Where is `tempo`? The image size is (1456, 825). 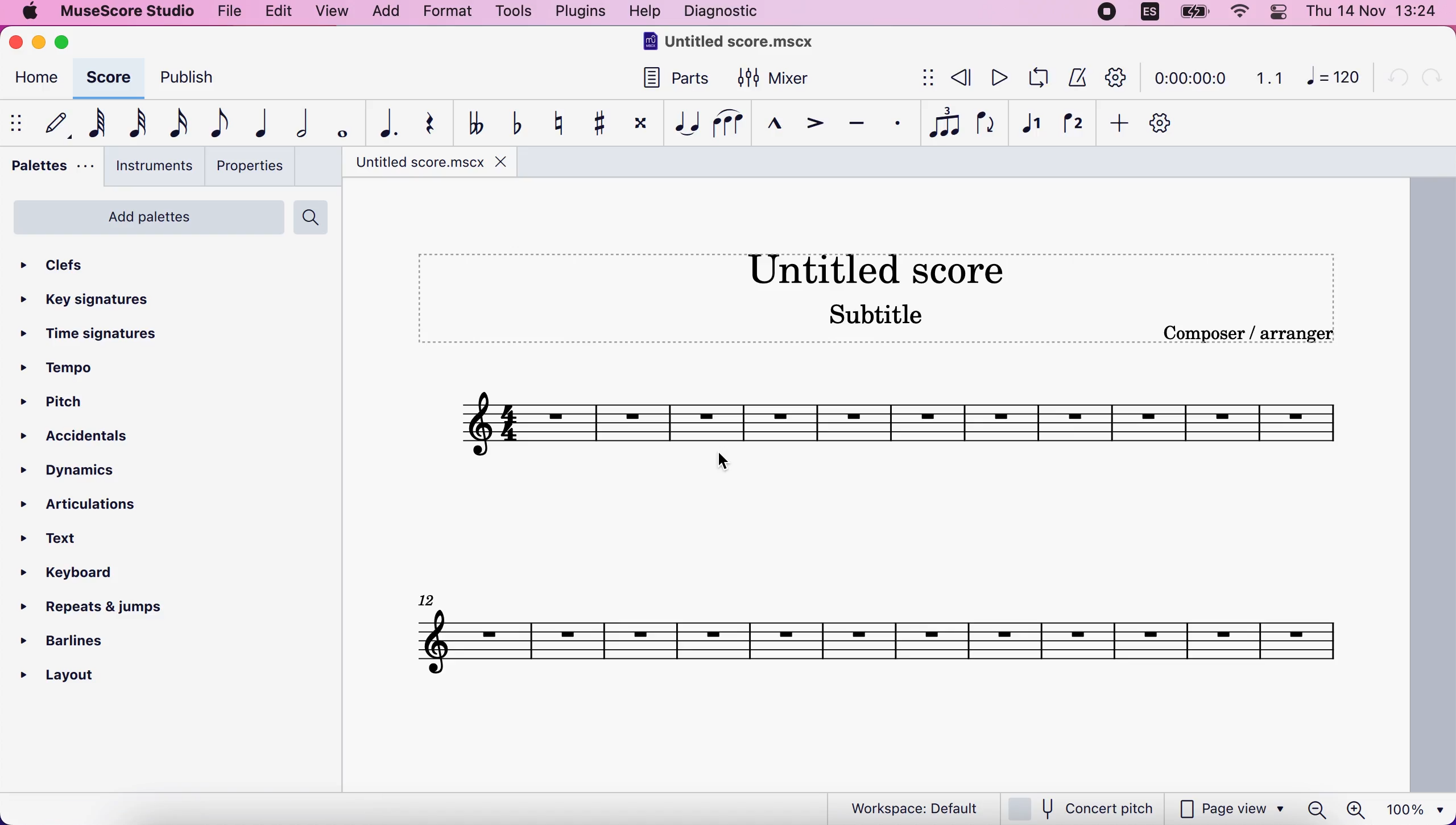 tempo is located at coordinates (67, 371).